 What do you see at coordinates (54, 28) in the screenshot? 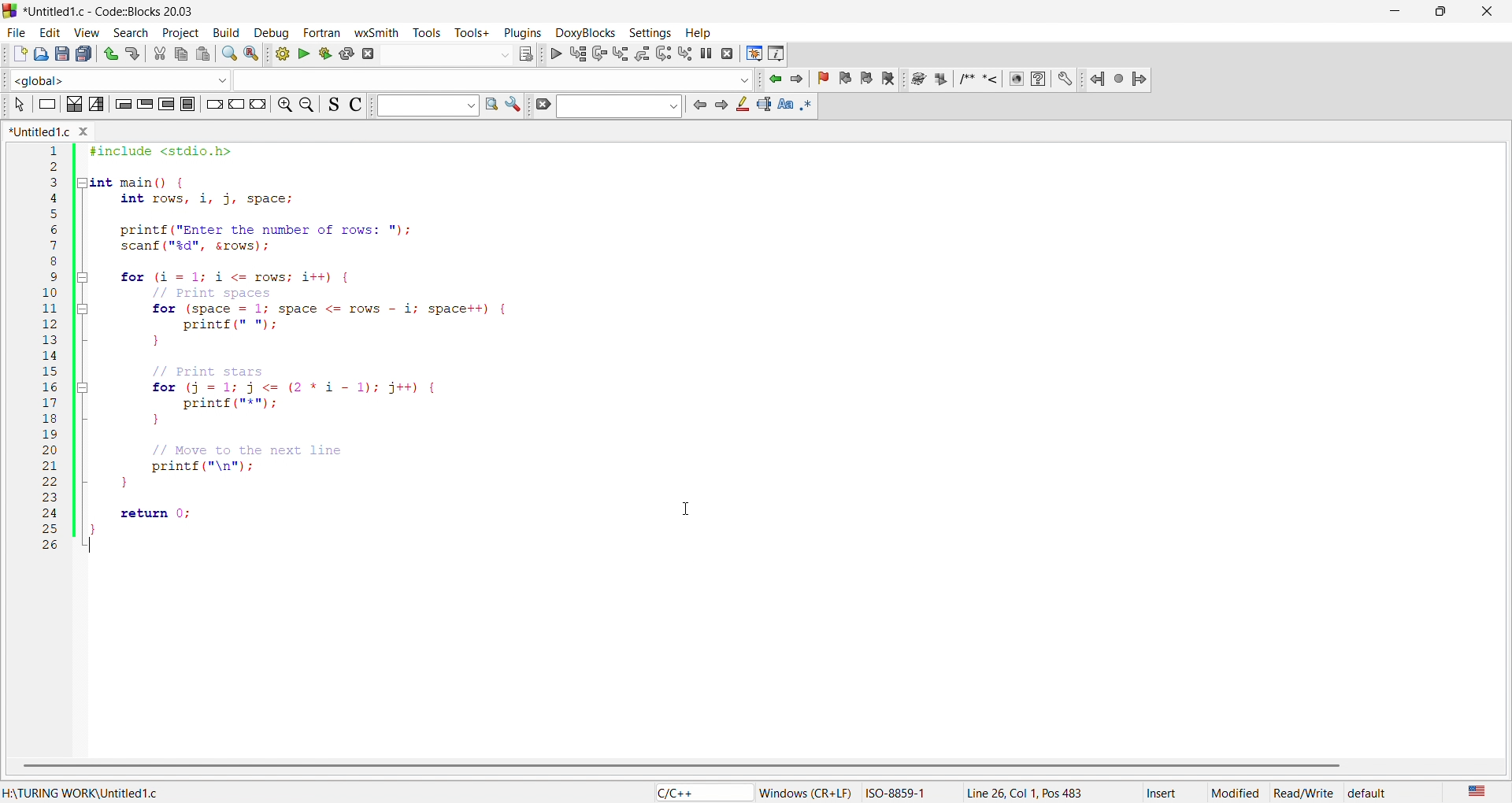
I see `edit ` at bounding box center [54, 28].